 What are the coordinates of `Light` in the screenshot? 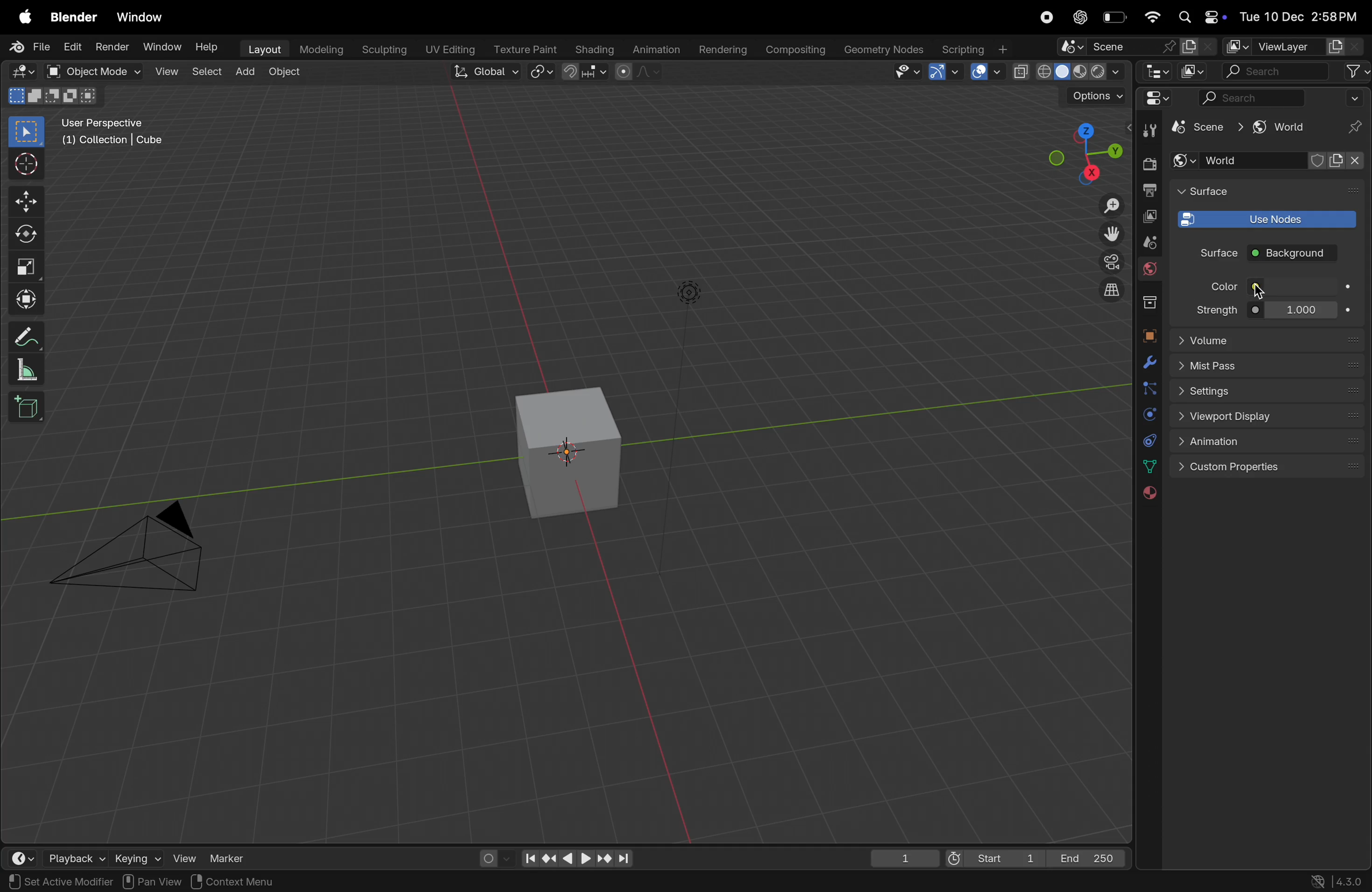 It's located at (691, 293).